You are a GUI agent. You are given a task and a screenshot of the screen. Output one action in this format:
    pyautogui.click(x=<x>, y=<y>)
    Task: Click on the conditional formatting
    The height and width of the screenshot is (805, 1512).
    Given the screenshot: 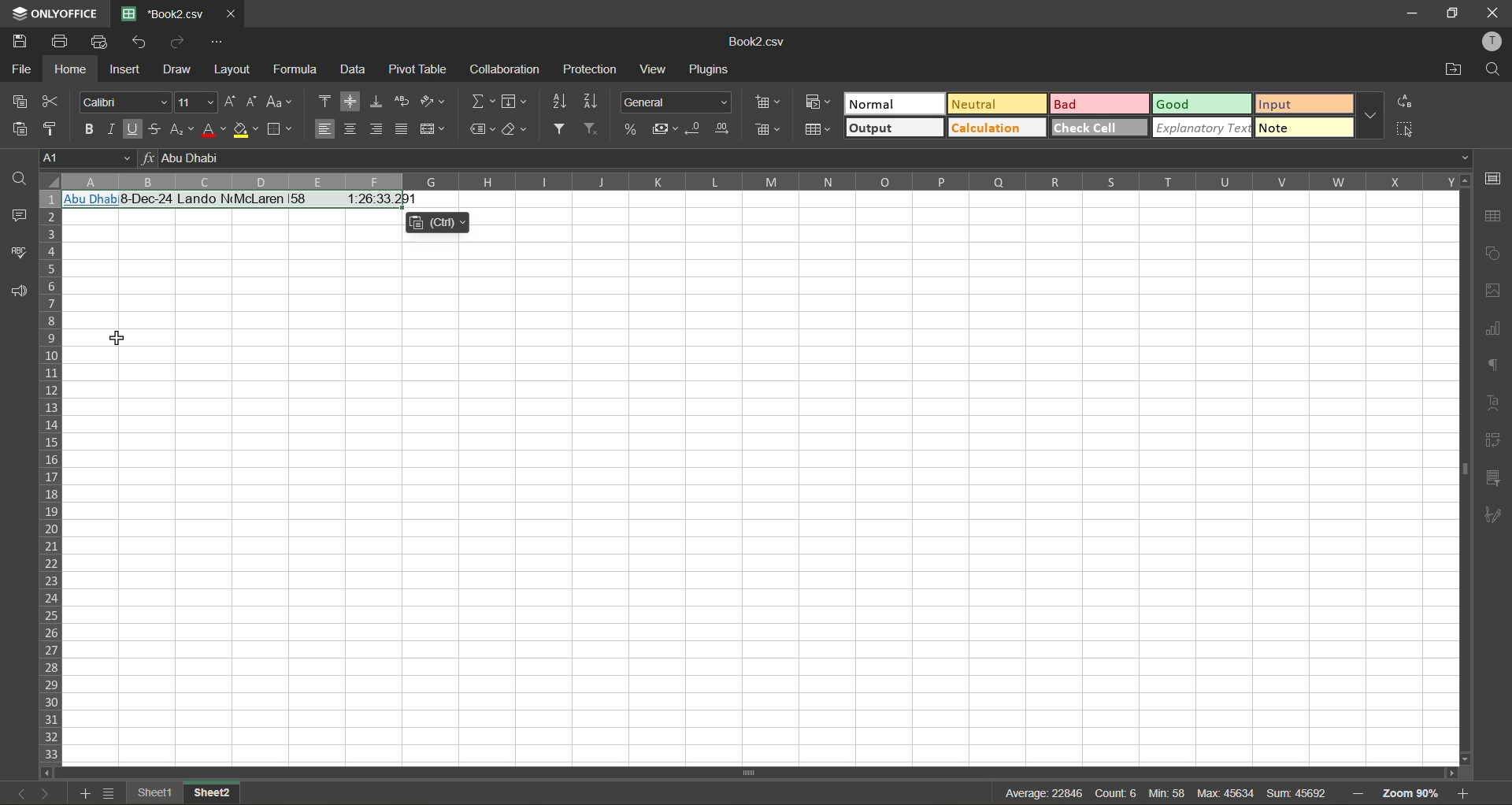 What is the action you would take?
    pyautogui.click(x=814, y=105)
    